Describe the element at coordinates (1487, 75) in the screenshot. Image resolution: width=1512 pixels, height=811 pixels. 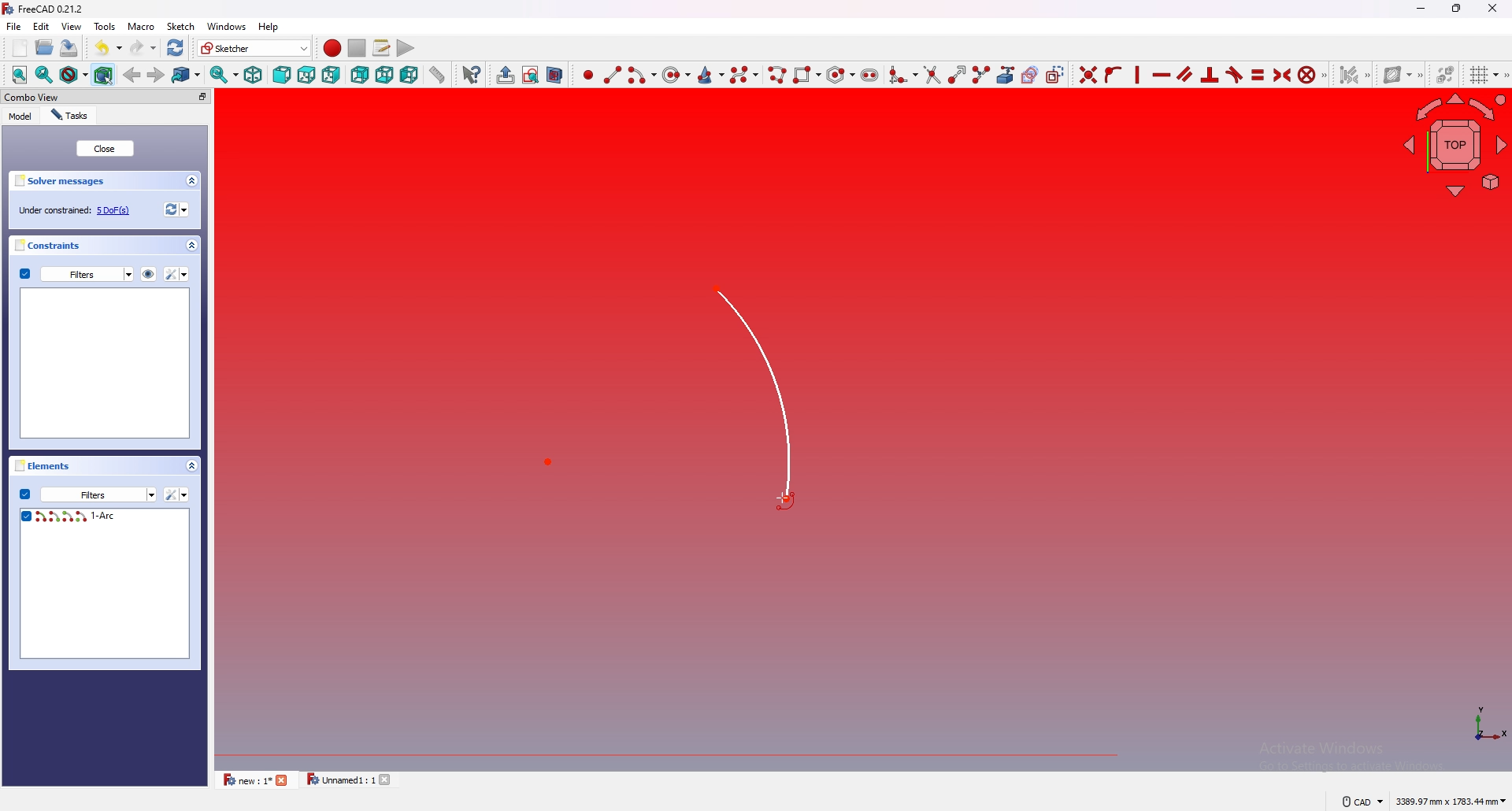
I see `toggle grid` at that location.